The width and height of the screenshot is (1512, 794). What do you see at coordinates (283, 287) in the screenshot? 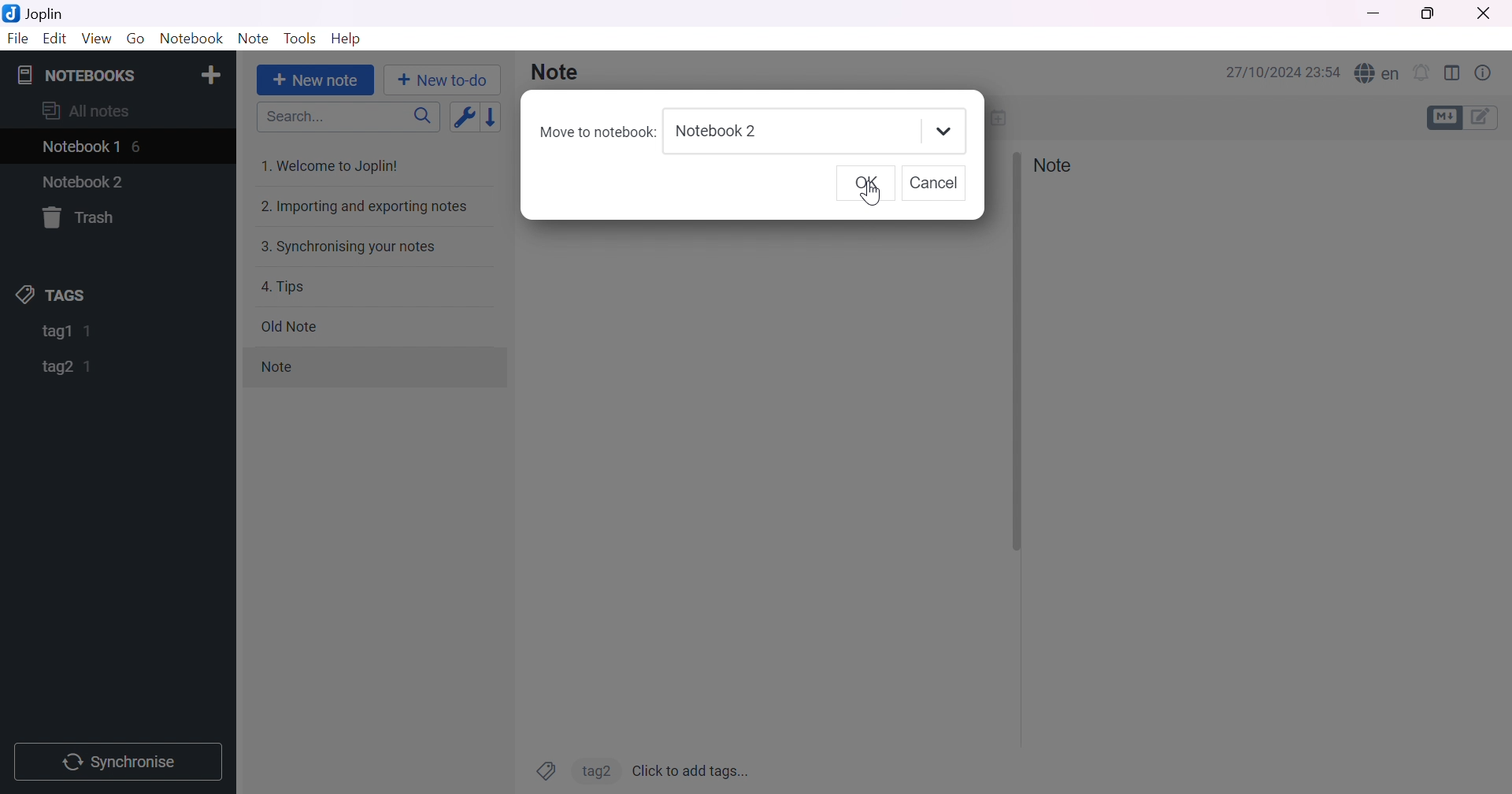
I see `4. Tips` at bounding box center [283, 287].